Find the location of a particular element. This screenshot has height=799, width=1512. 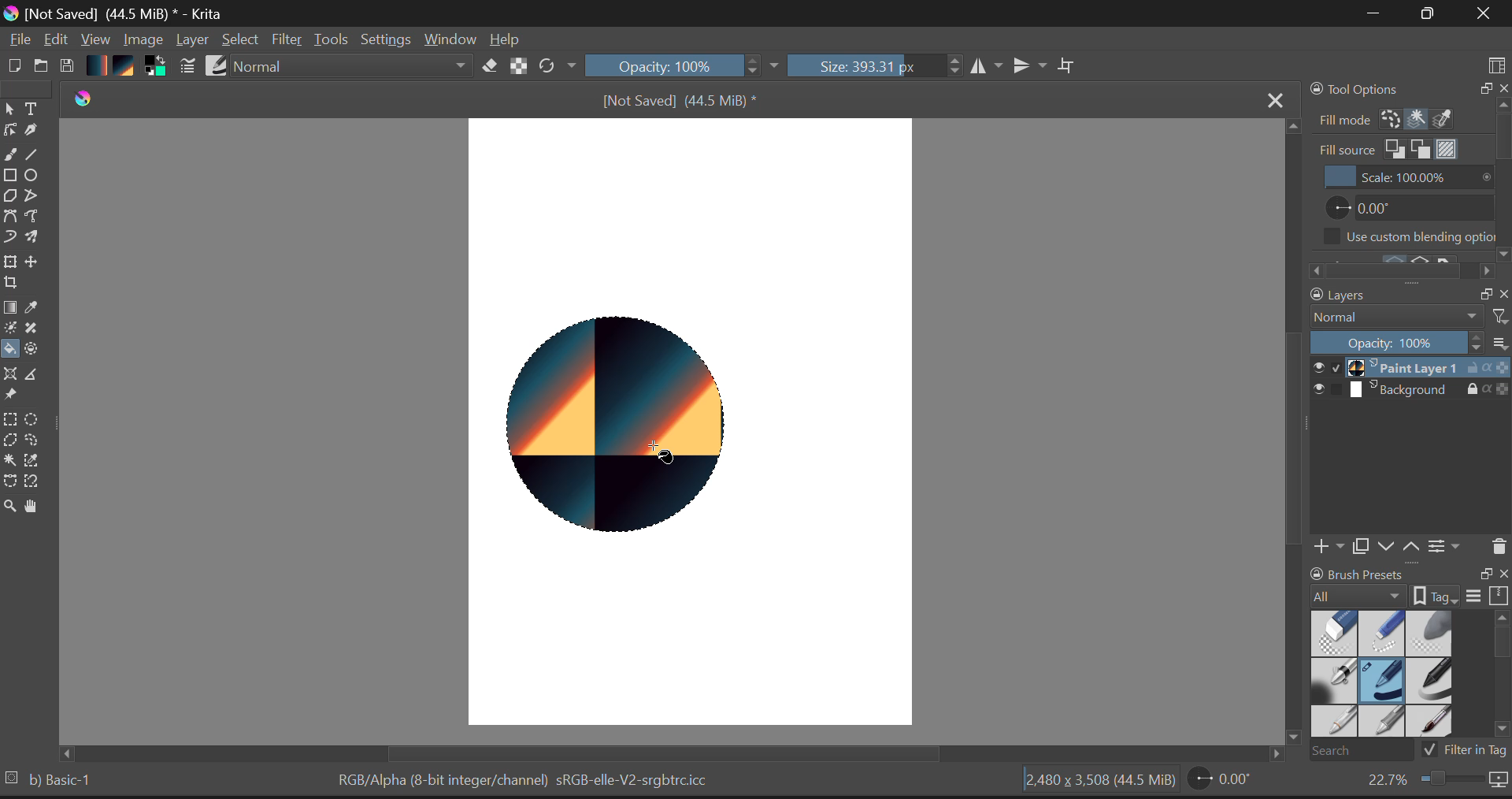

Close is located at coordinates (1480, 15).